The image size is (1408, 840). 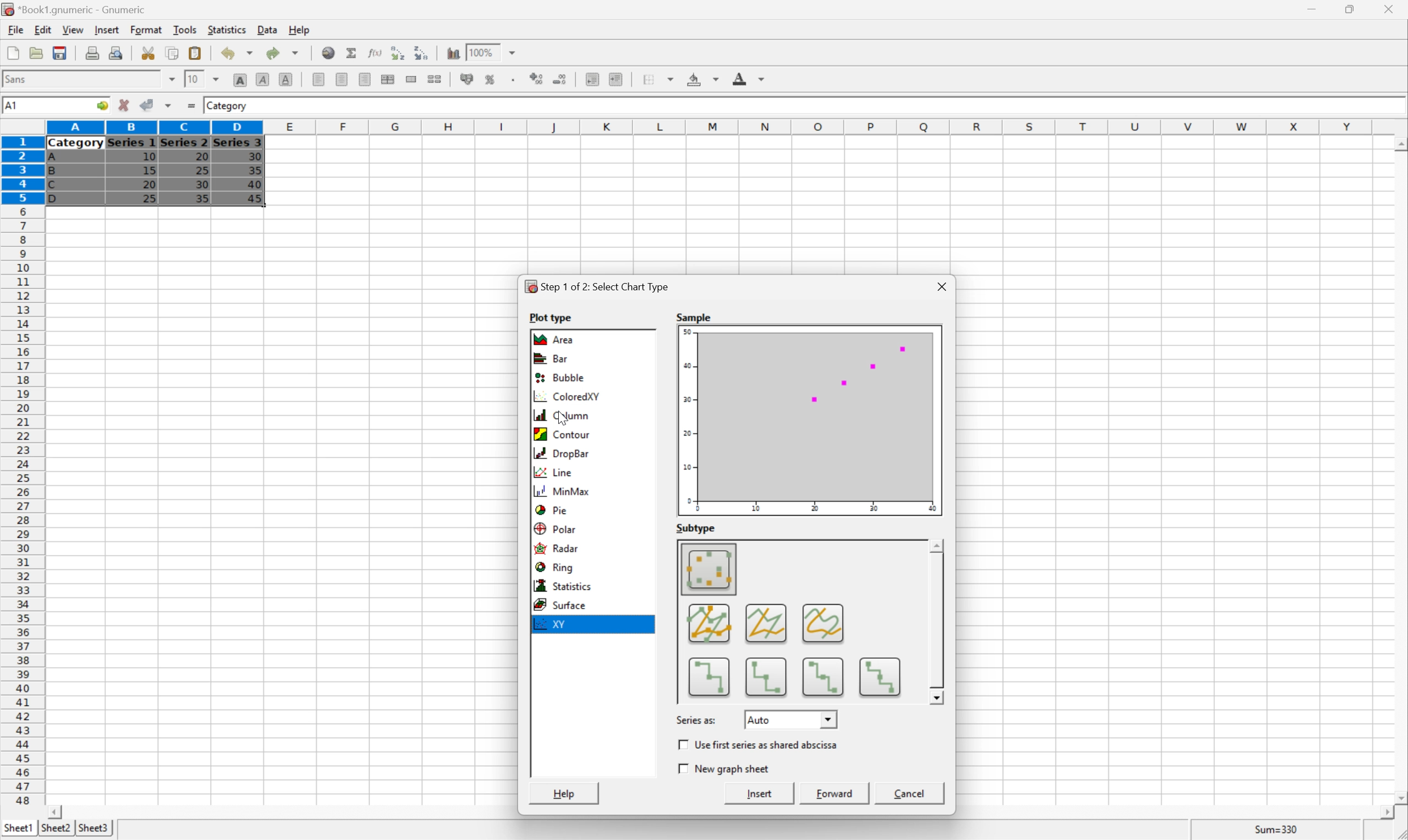 What do you see at coordinates (228, 30) in the screenshot?
I see `Statistics` at bounding box center [228, 30].